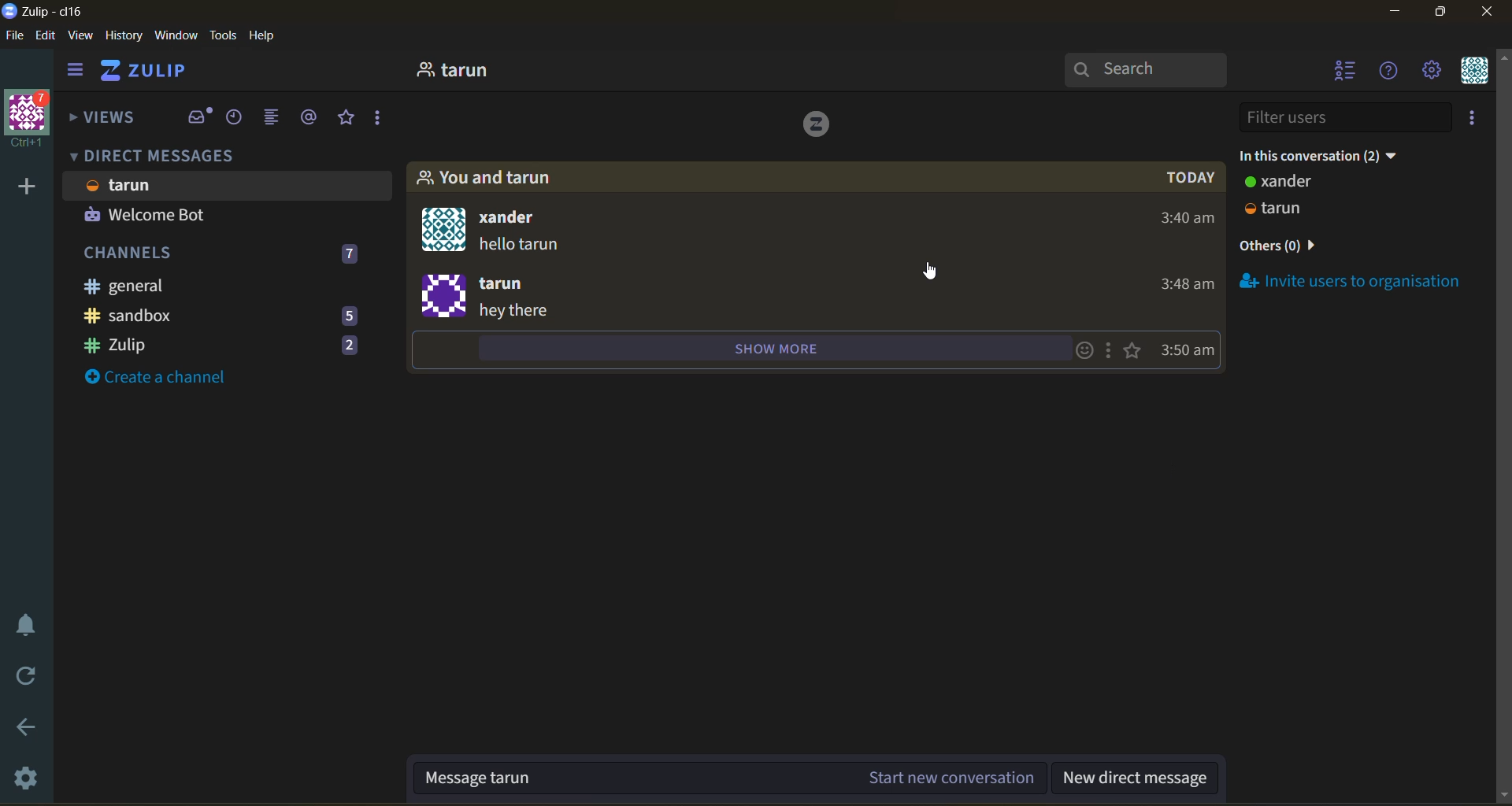  What do you see at coordinates (1473, 72) in the screenshot?
I see `personal menu` at bounding box center [1473, 72].